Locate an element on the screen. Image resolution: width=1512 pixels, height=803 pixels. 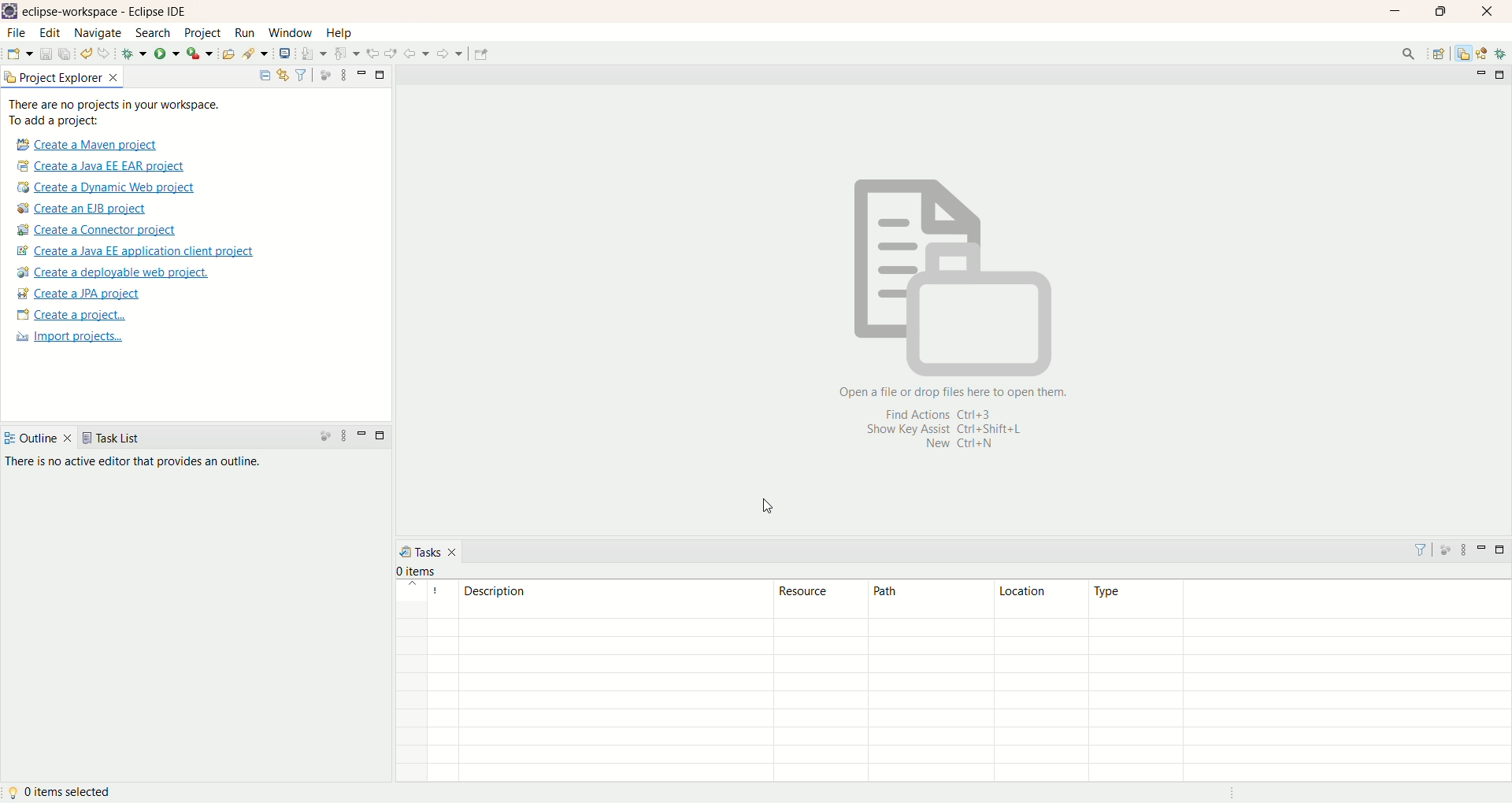
filter is located at coordinates (305, 73).